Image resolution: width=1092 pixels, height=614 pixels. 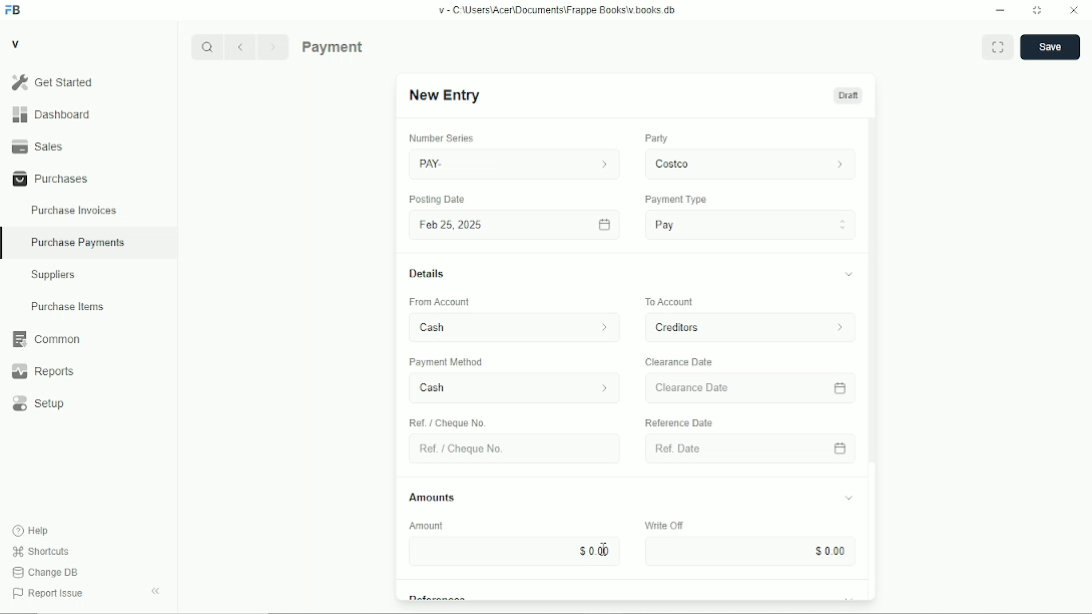 What do you see at coordinates (505, 389) in the screenshot?
I see `Cash` at bounding box center [505, 389].